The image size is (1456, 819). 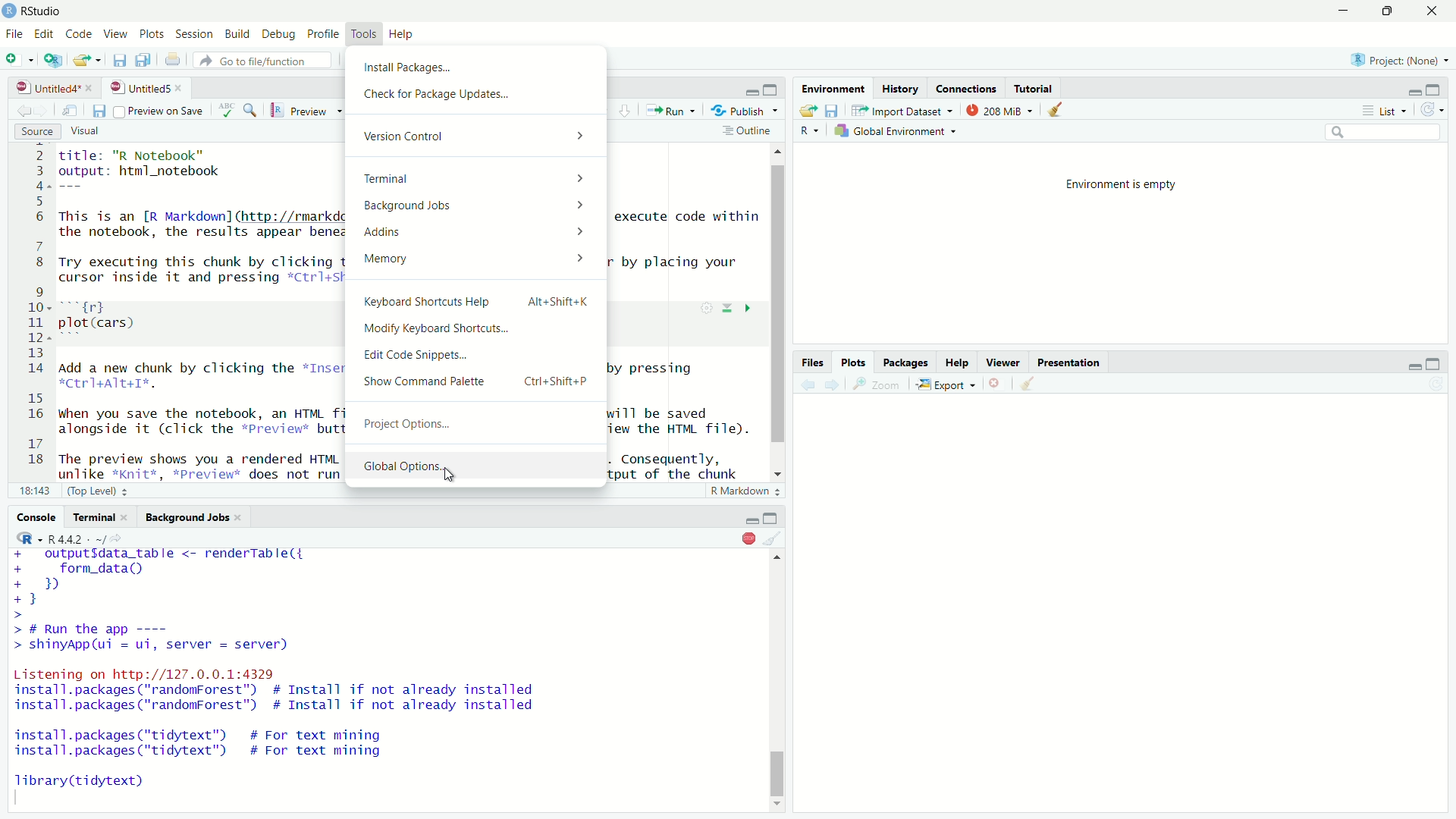 What do you see at coordinates (363, 35) in the screenshot?
I see `Toys` at bounding box center [363, 35].